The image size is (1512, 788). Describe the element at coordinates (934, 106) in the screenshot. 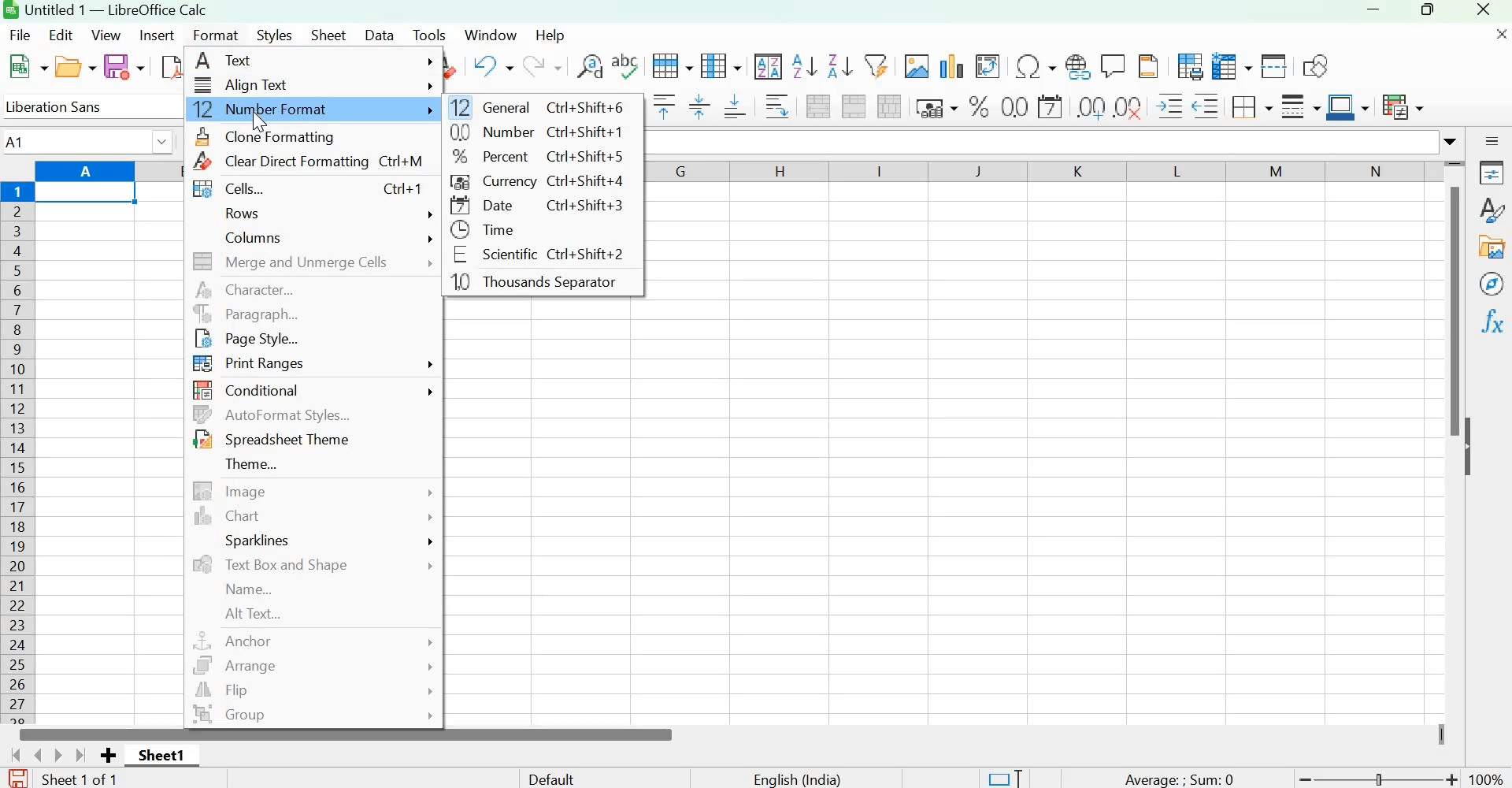

I see `Format as currency` at that location.